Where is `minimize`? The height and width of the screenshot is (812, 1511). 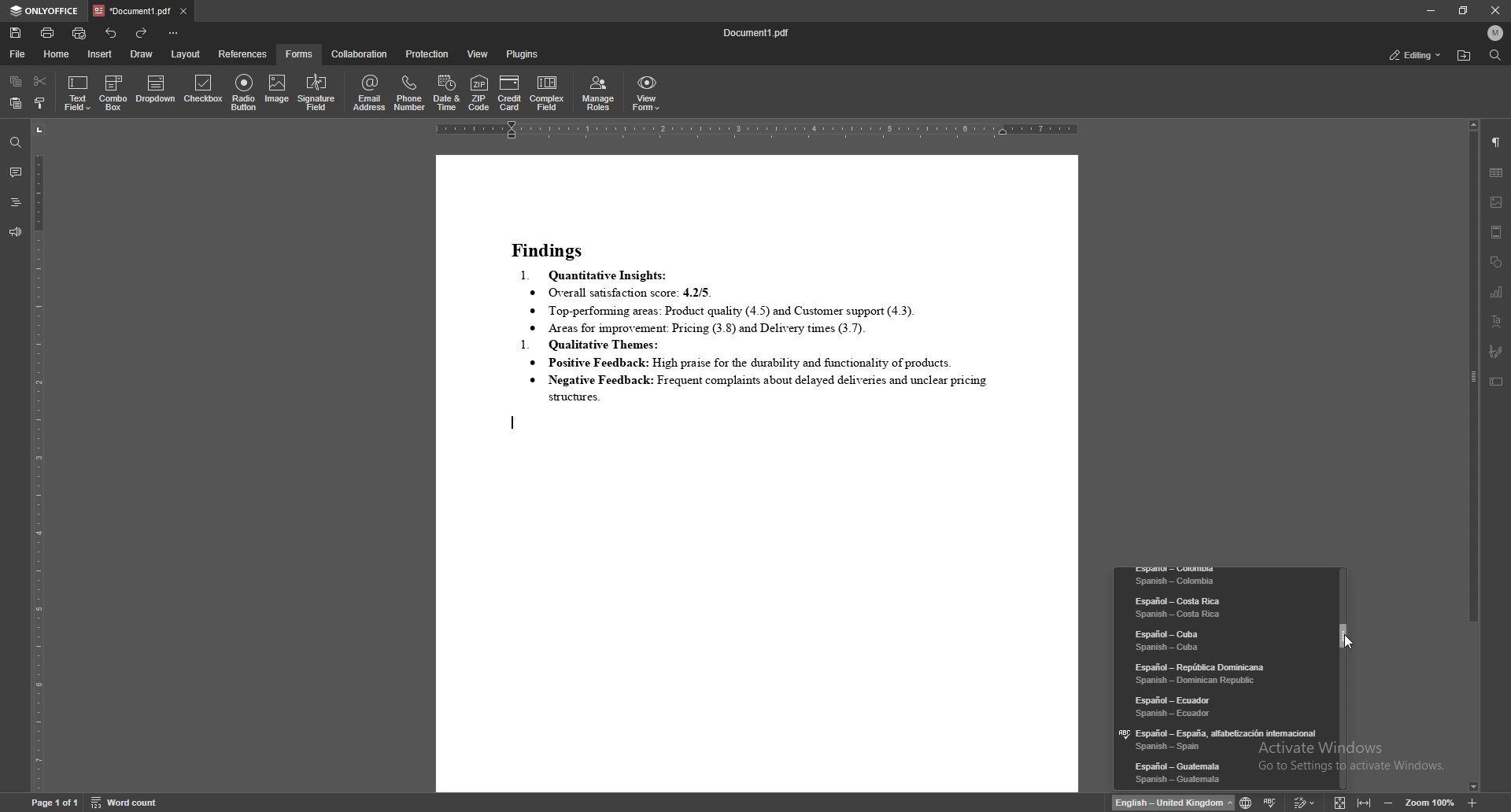
minimize is located at coordinates (1431, 10).